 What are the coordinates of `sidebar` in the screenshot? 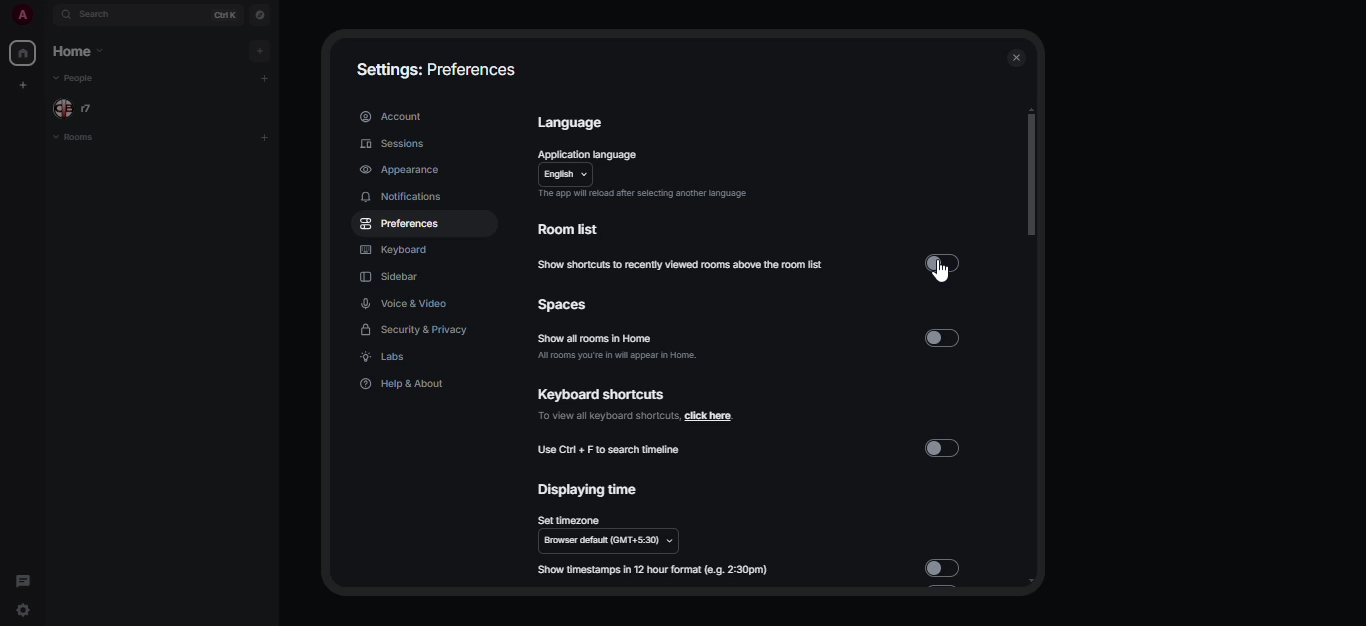 It's located at (389, 277).